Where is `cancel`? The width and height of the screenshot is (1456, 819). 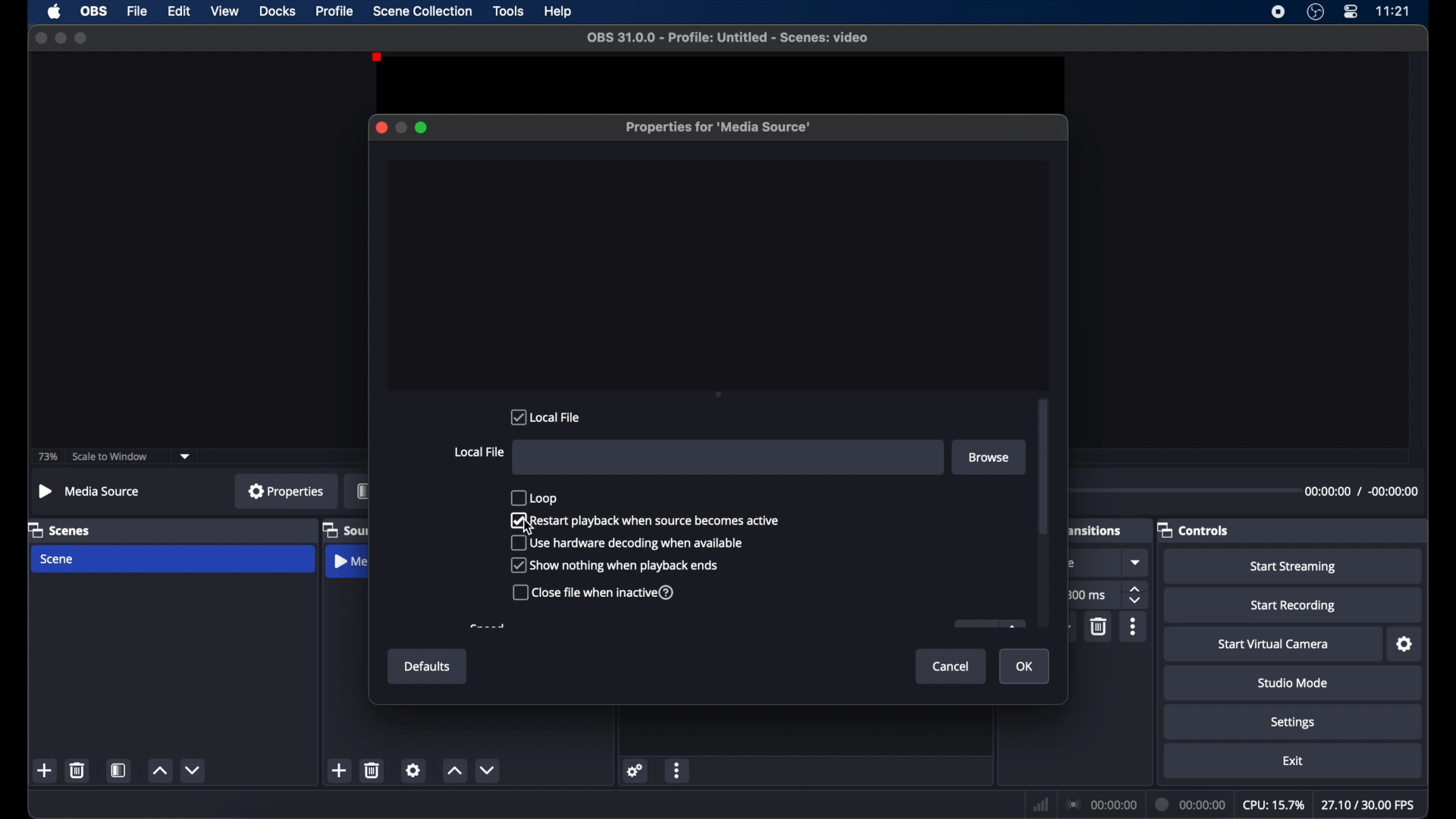
cancel is located at coordinates (952, 667).